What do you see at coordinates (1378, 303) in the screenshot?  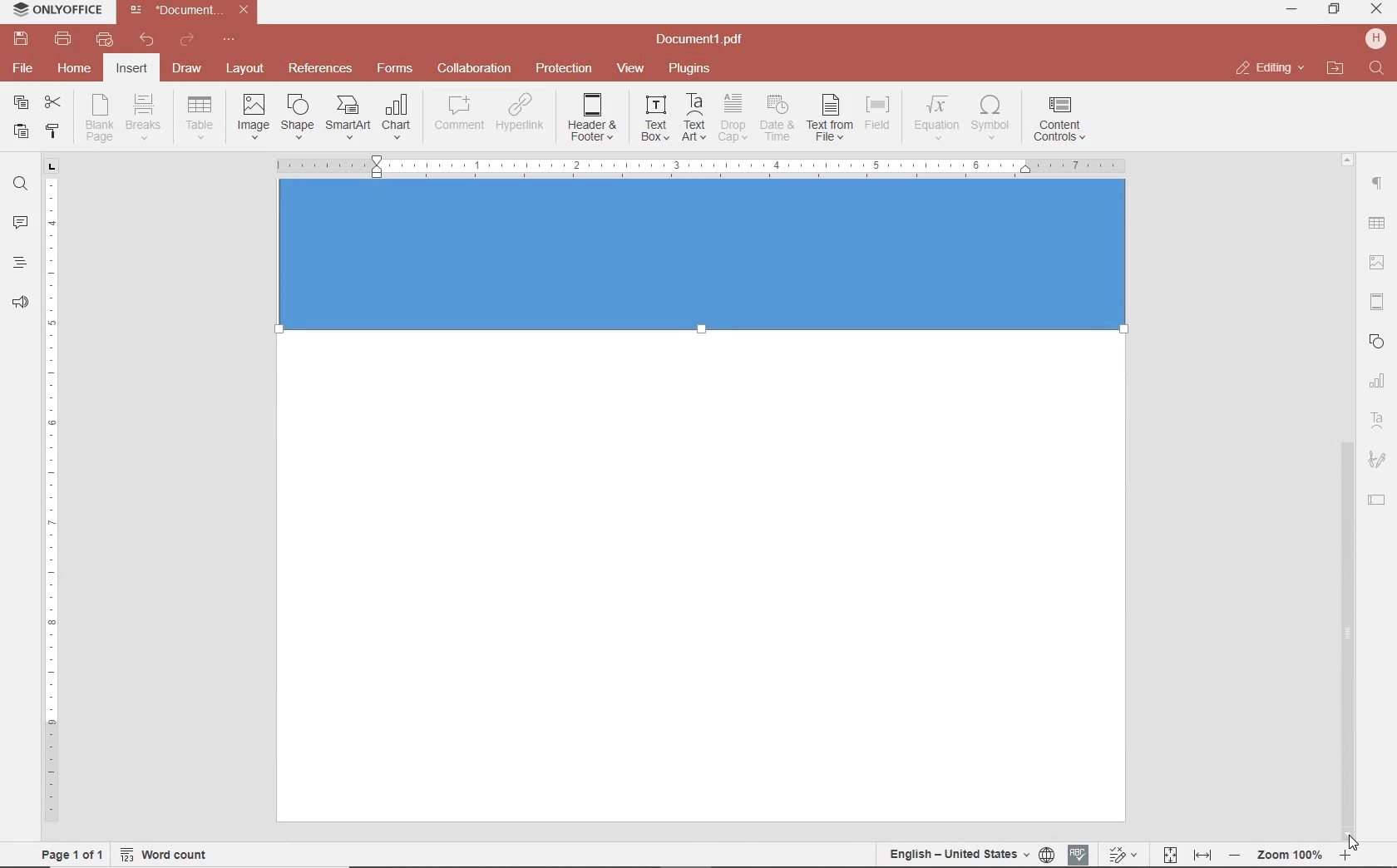 I see `HEADERS & FOOTERS` at bounding box center [1378, 303].